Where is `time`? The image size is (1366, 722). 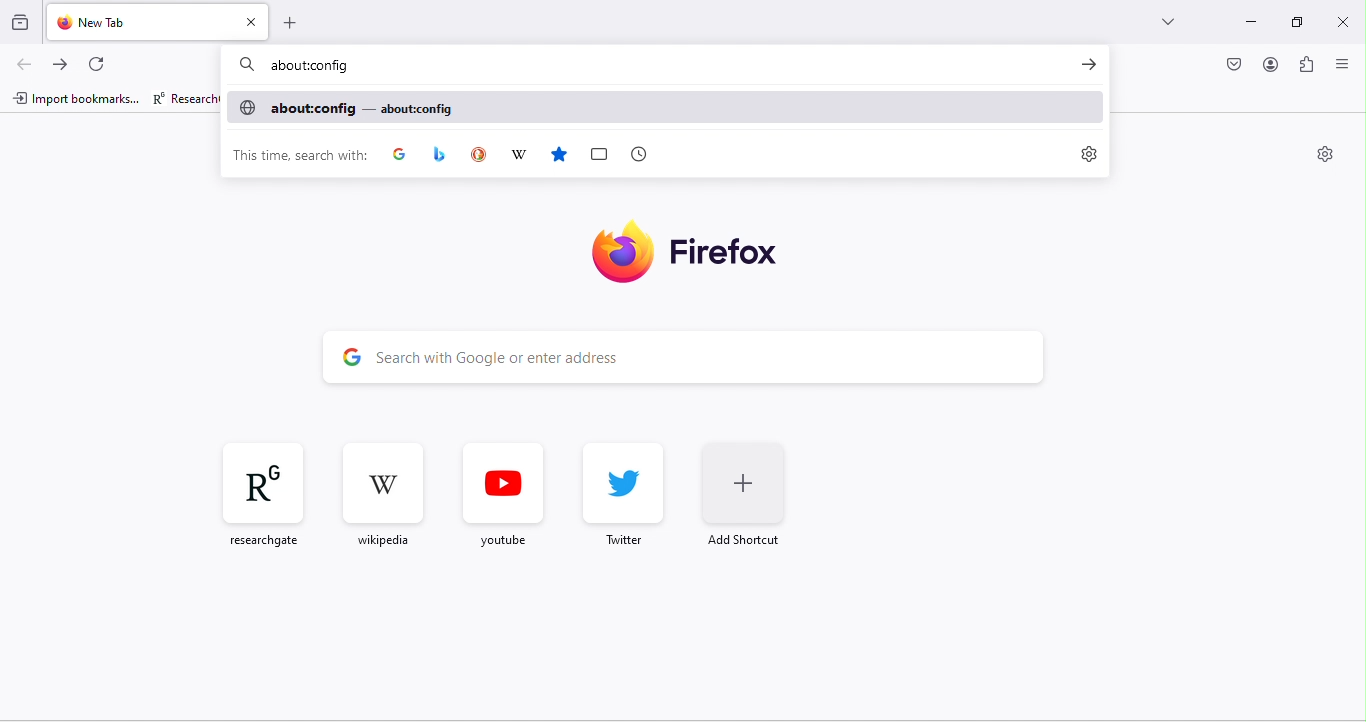 time is located at coordinates (636, 155).